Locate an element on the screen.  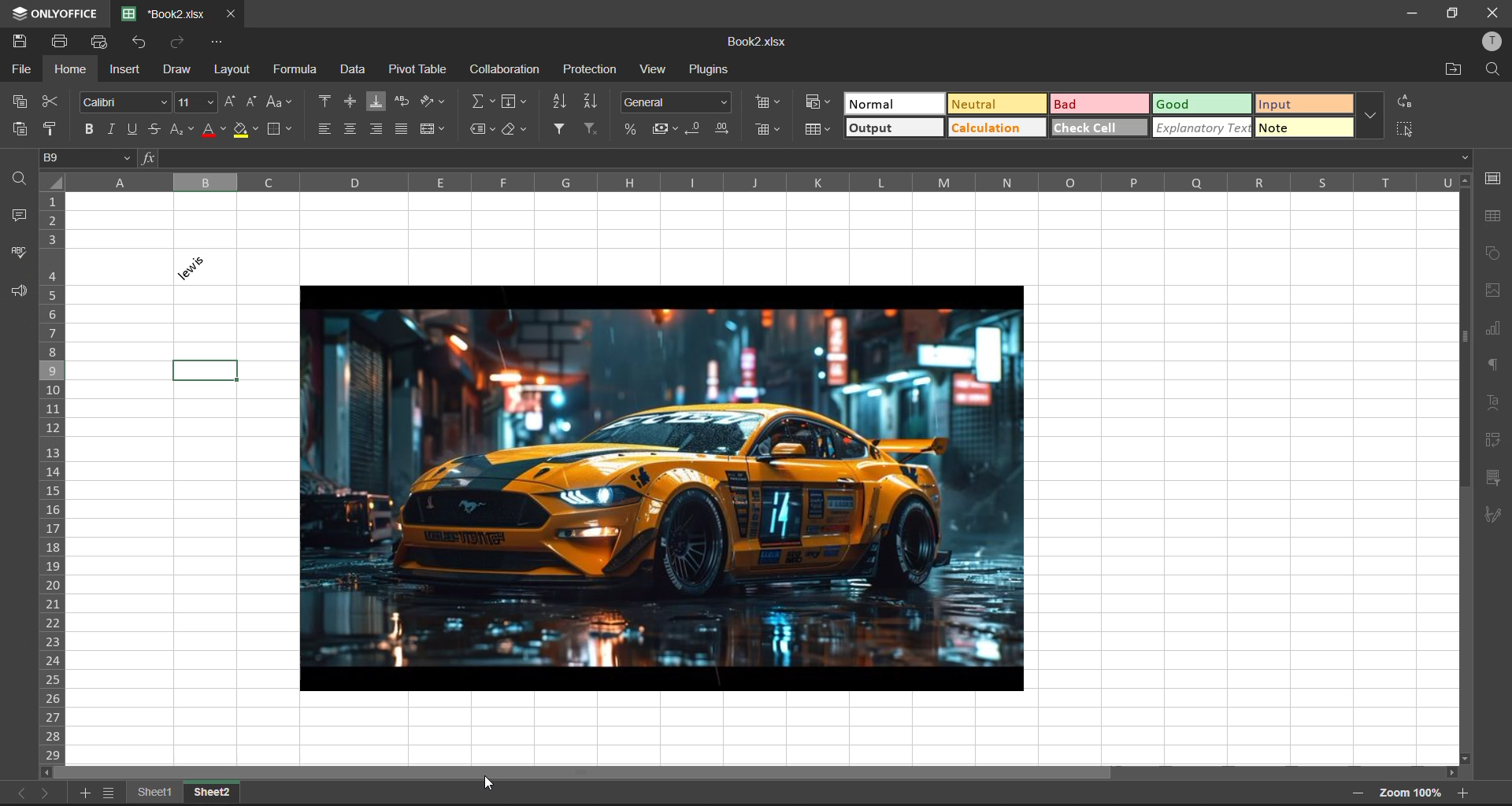
file is located at coordinates (20, 69).